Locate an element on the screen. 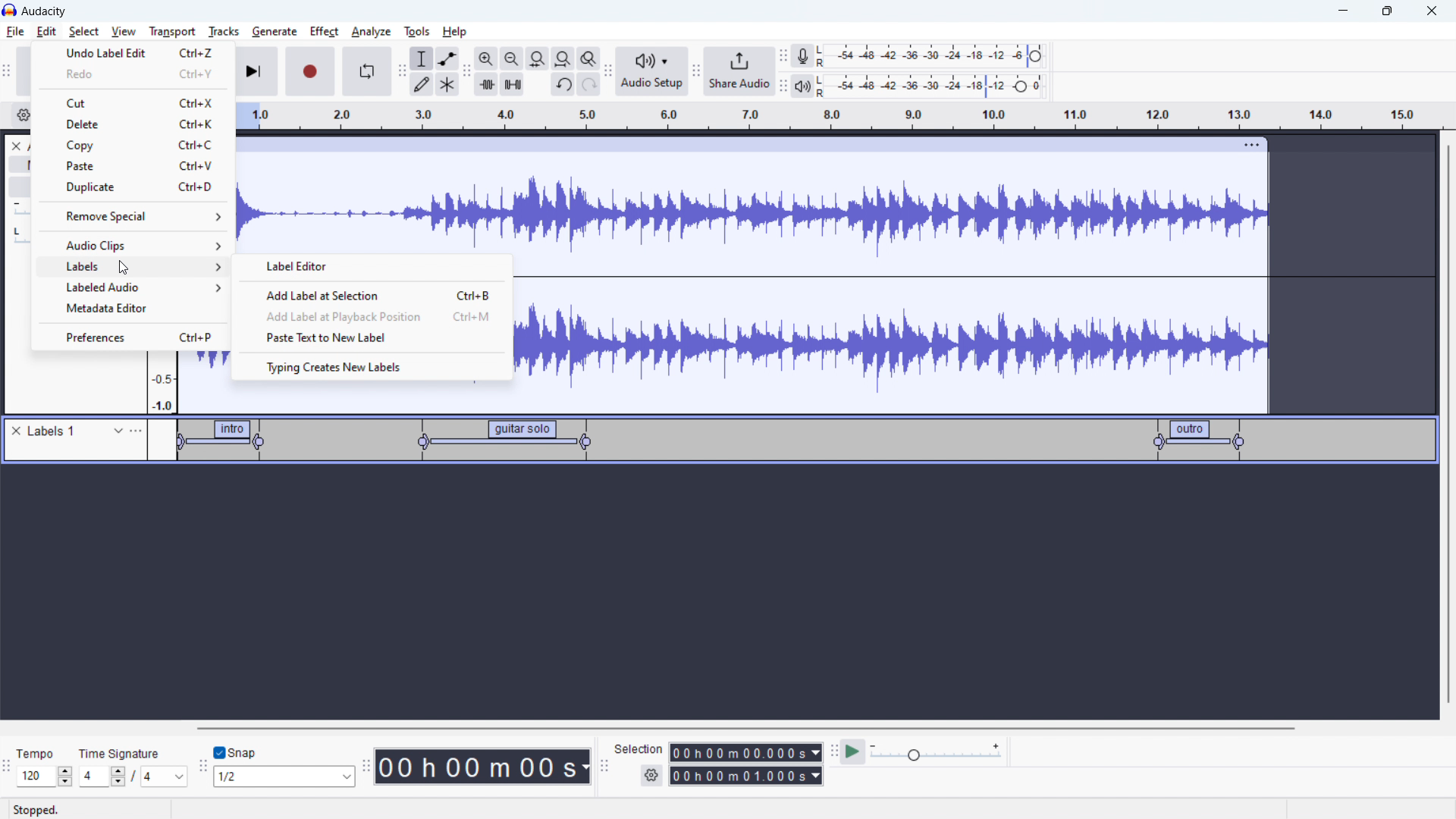 Image resolution: width=1456 pixels, height=819 pixels. effect is located at coordinates (325, 32).